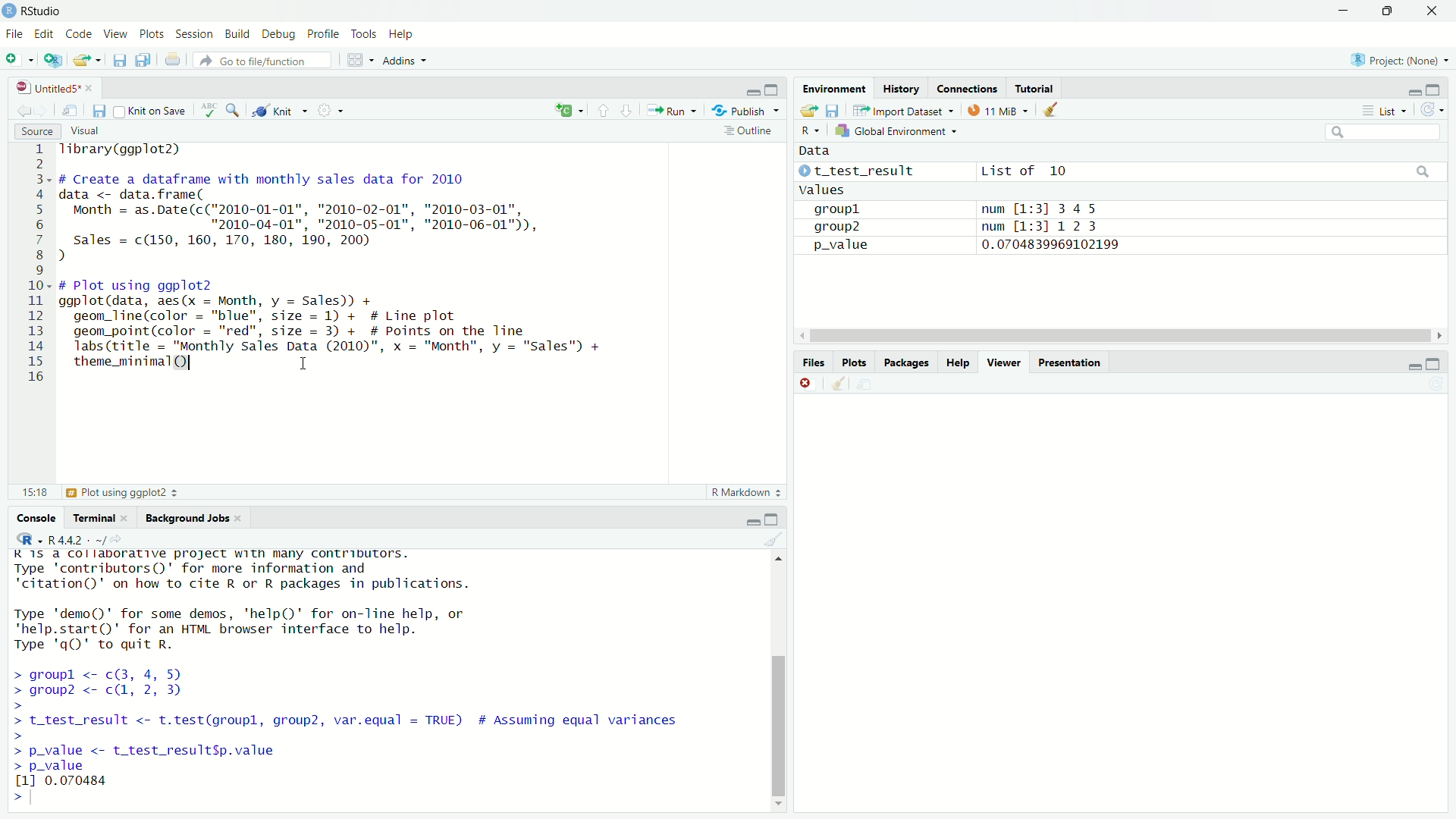  What do you see at coordinates (171, 59) in the screenshot?
I see `print current file` at bounding box center [171, 59].